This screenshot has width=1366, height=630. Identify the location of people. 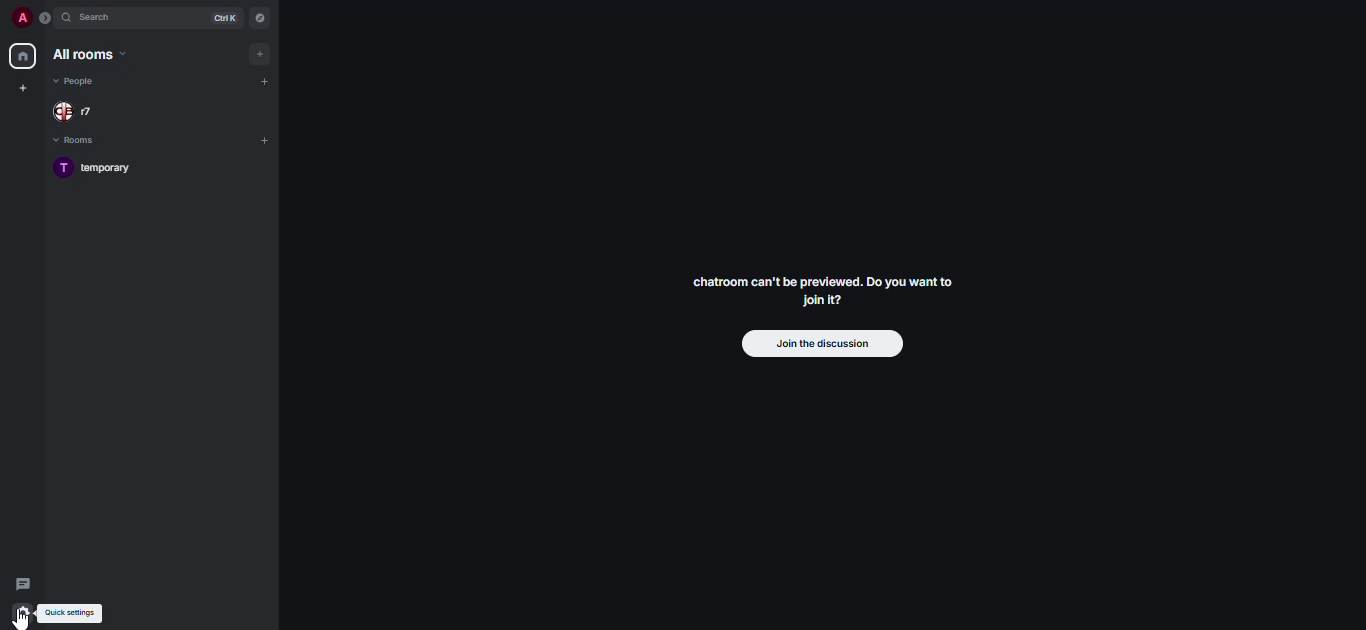
(82, 82).